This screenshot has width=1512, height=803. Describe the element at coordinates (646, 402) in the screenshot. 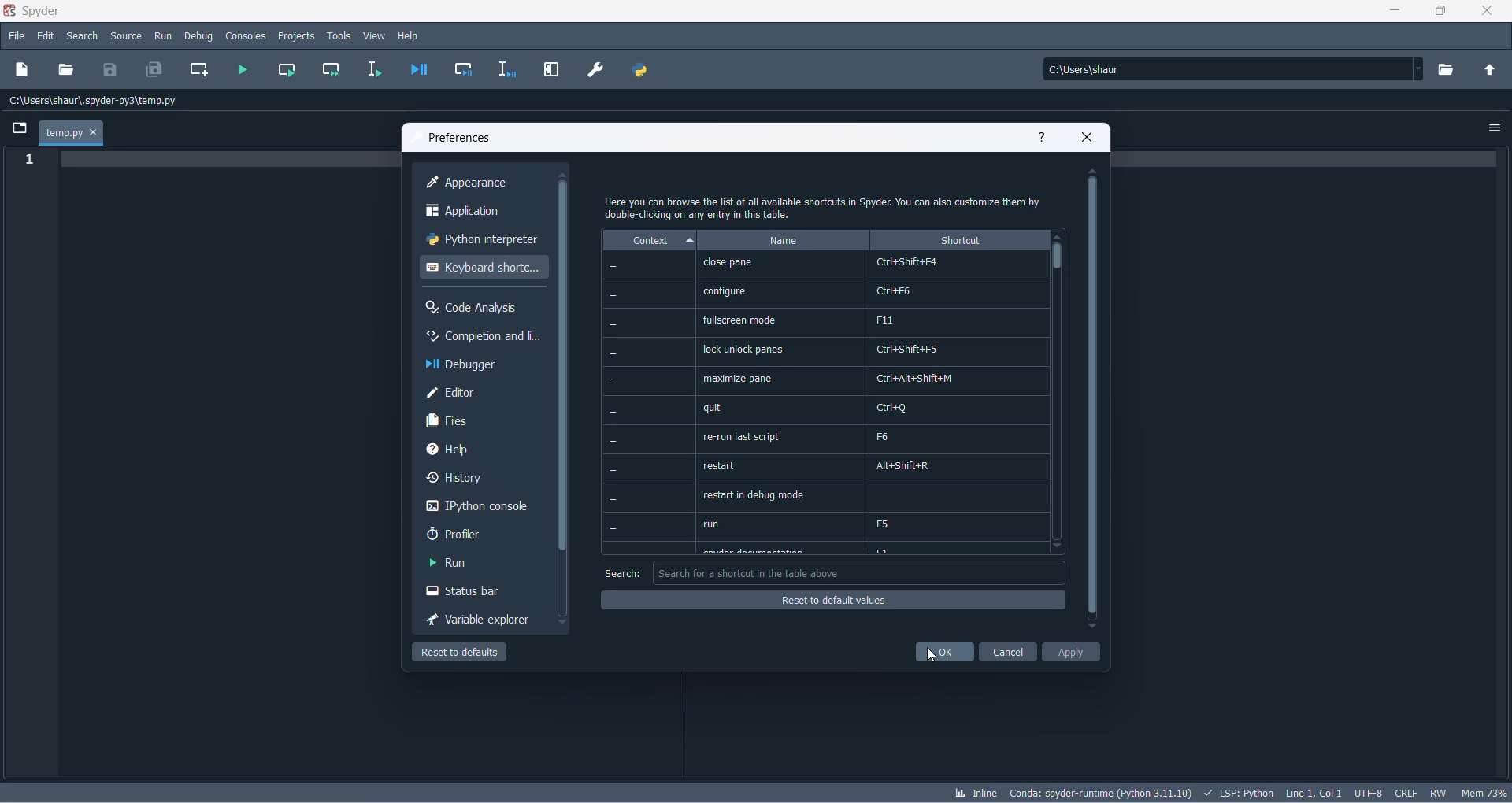

I see `context values` at that location.